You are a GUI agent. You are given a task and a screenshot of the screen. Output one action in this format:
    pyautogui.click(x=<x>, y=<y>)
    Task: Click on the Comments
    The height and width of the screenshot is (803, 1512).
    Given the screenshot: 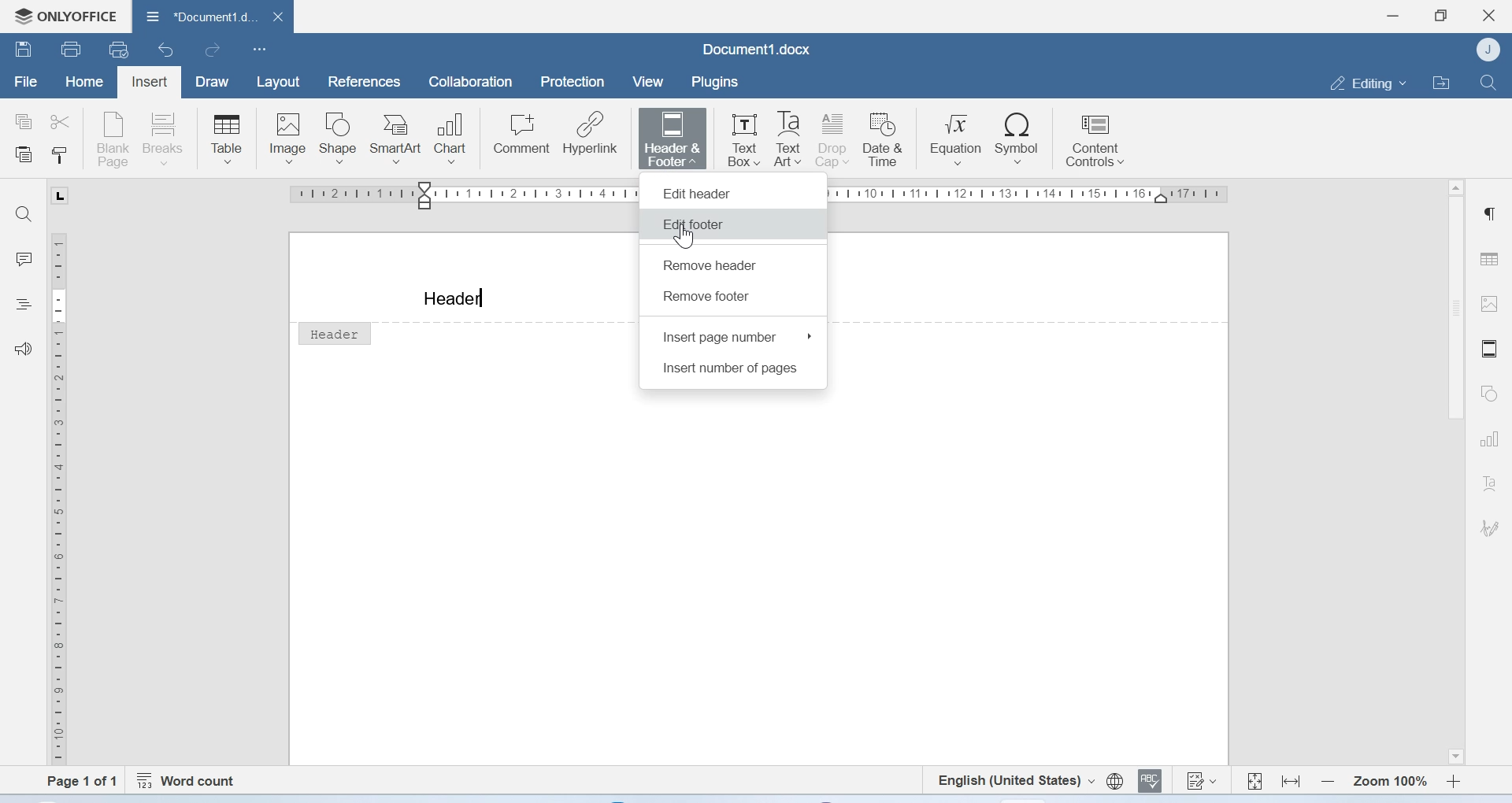 What is the action you would take?
    pyautogui.click(x=24, y=259)
    